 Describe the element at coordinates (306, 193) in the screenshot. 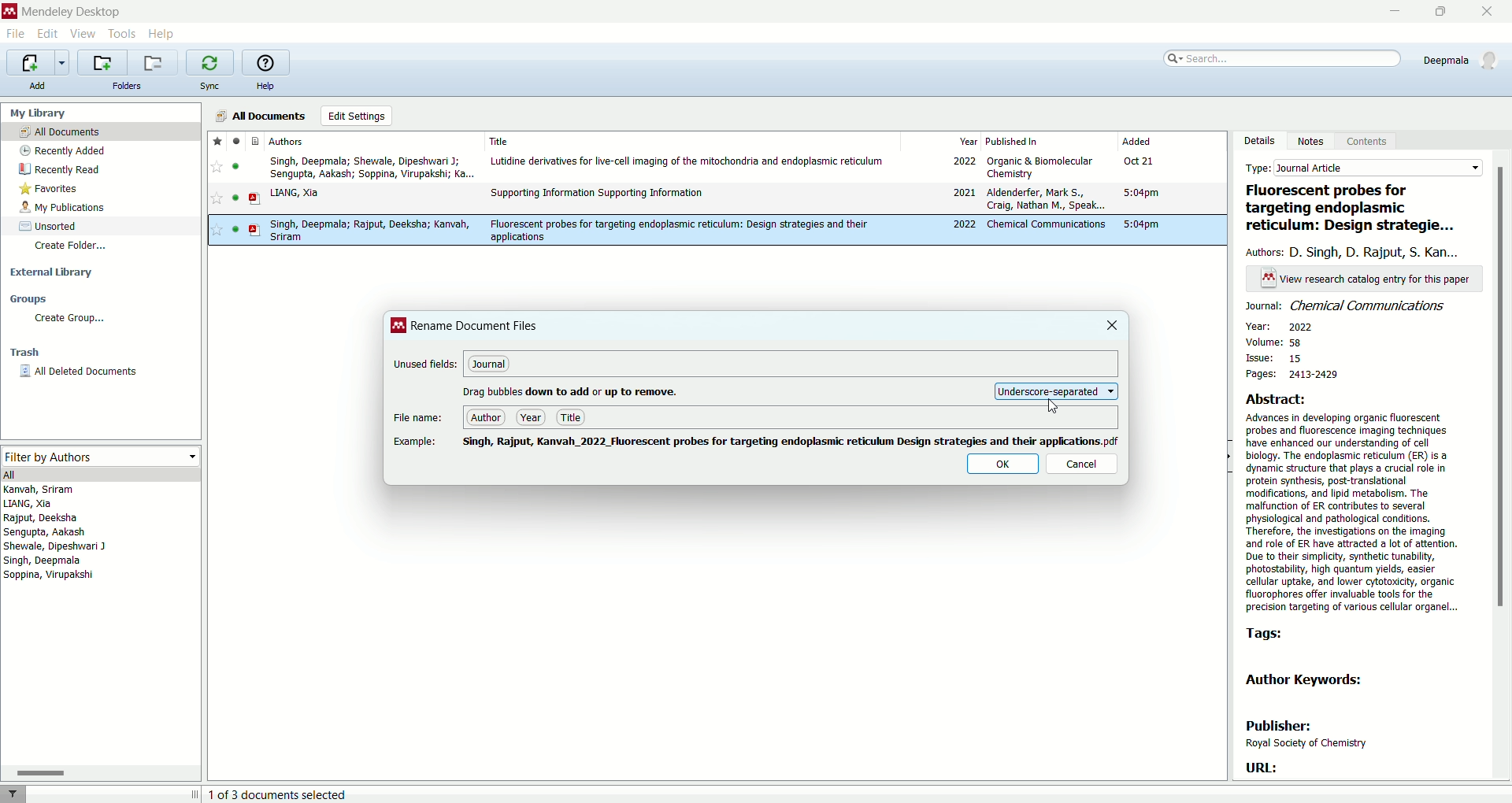

I see `y LIANG, Xia` at that location.